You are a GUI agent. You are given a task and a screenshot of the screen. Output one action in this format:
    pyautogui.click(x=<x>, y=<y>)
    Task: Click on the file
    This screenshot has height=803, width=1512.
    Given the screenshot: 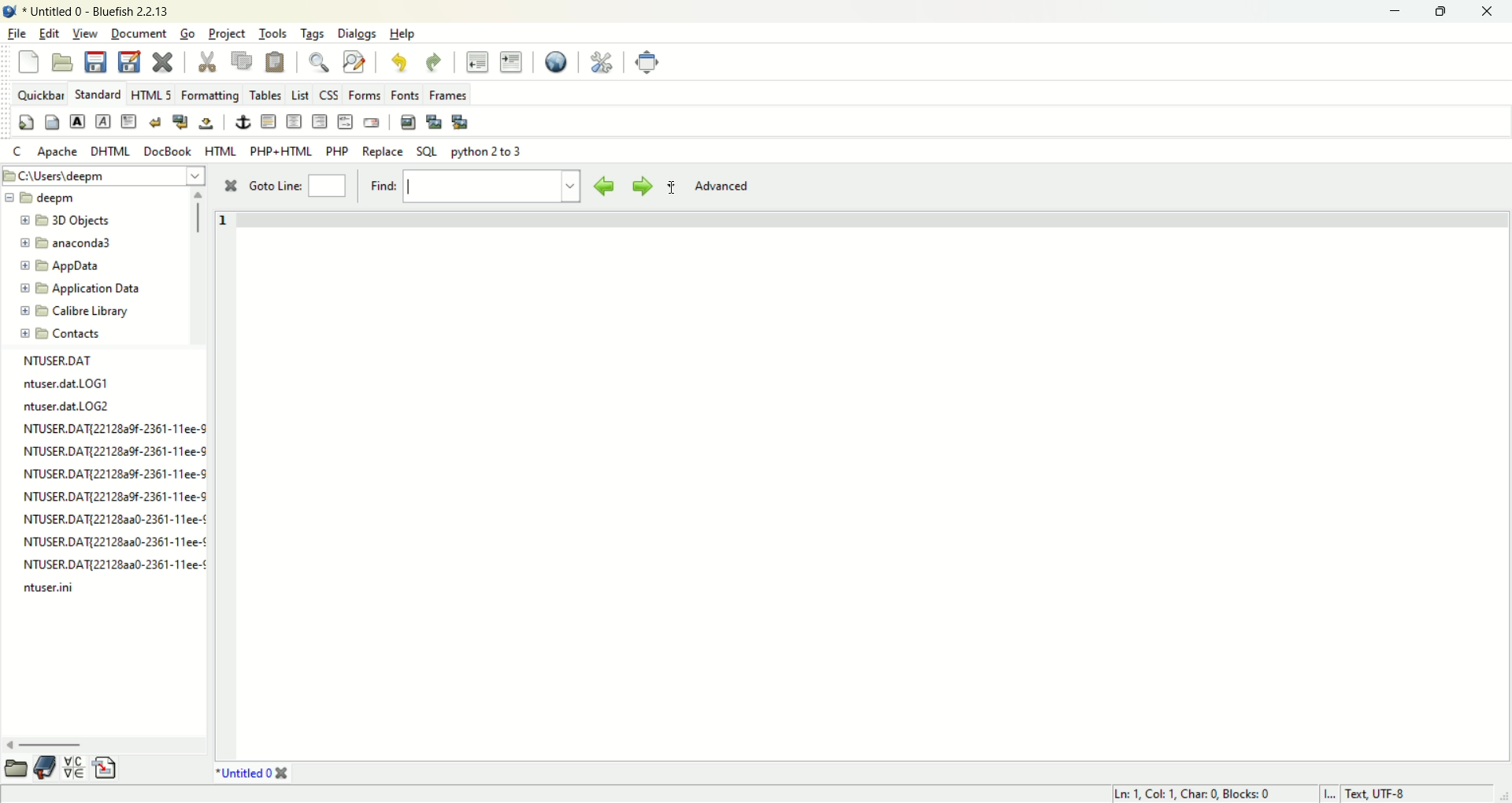 What is the action you would take?
    pyautogui.click(x=18, y=32)
    